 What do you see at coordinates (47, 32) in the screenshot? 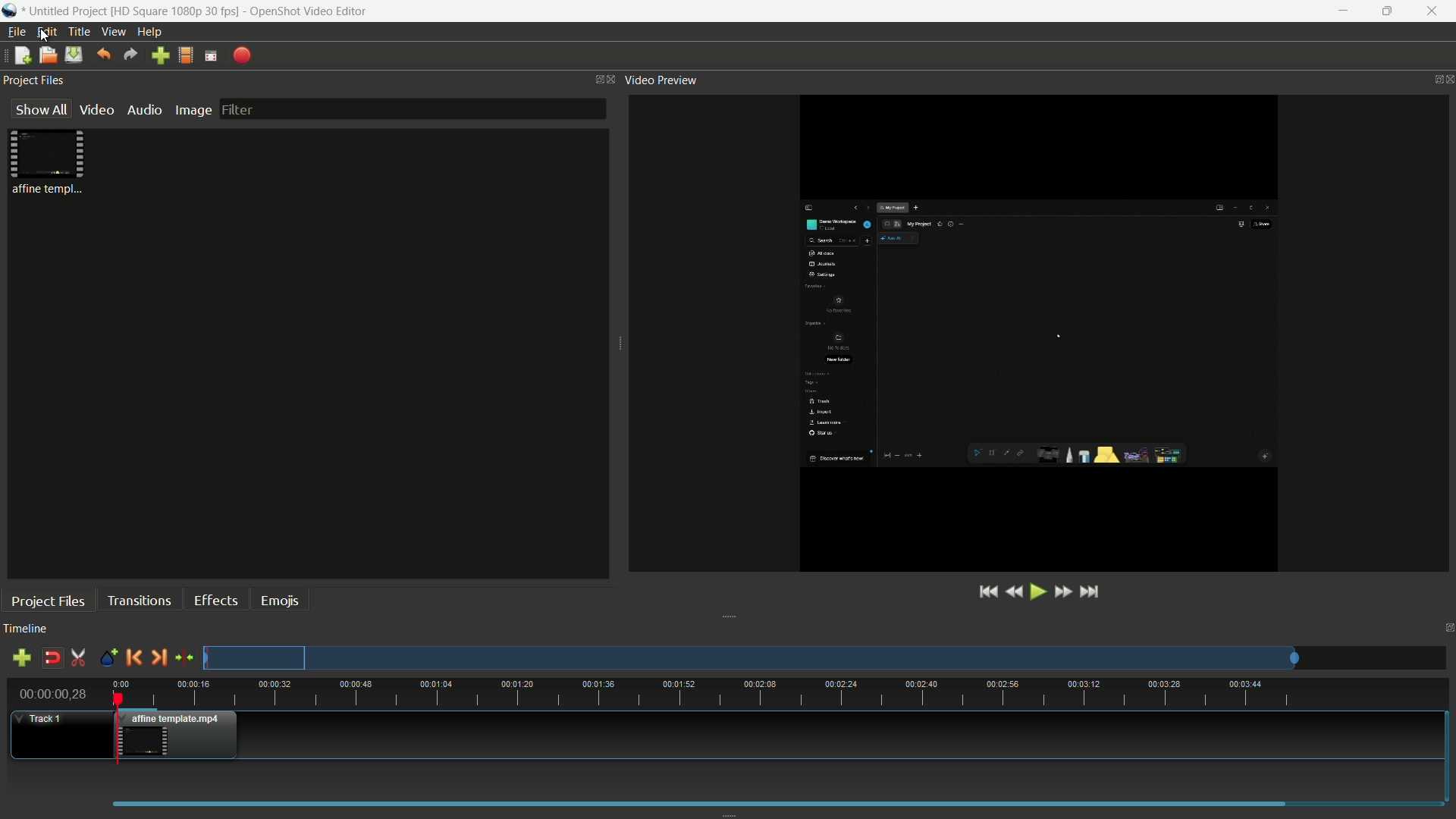
I see `edit menu` at bounding box center [47, 32].